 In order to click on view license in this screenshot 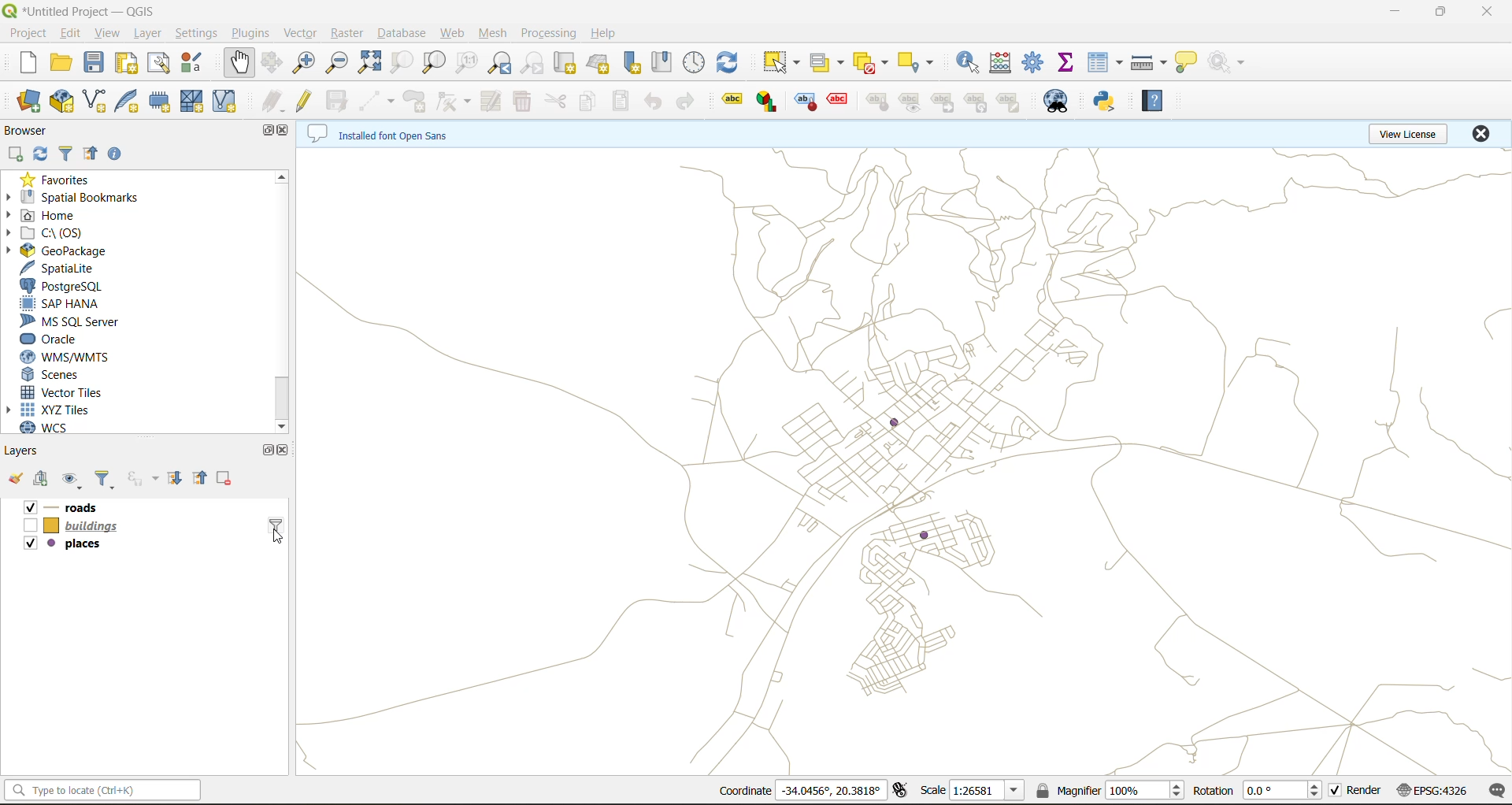, I will do `click(1406, 136)`.